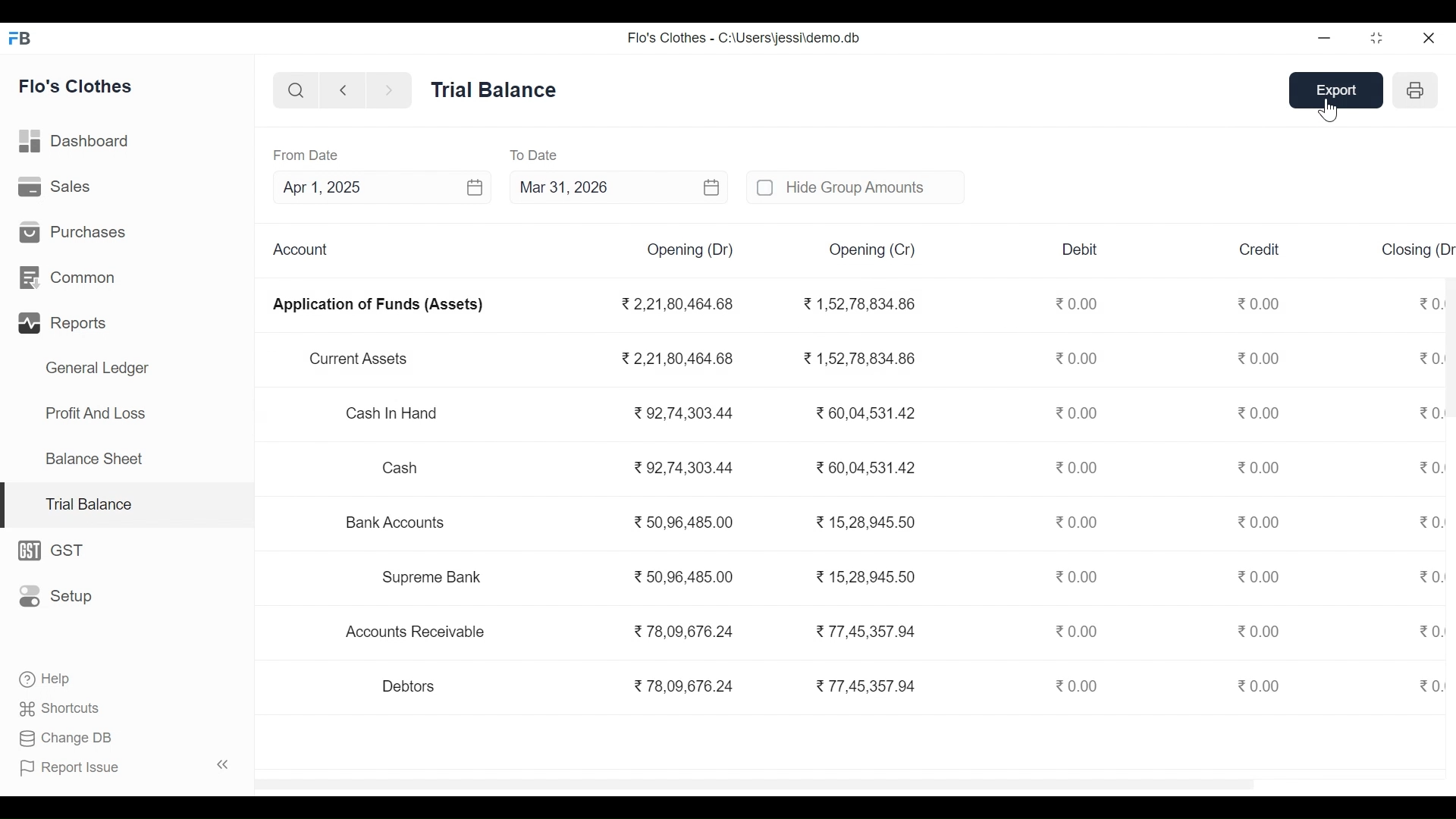 This screenshot has height=819, width=1456. What do you see at coordinates (865, 685) in the screenshot?
I see `77,45,357.94` at bounding box center [865, 685].